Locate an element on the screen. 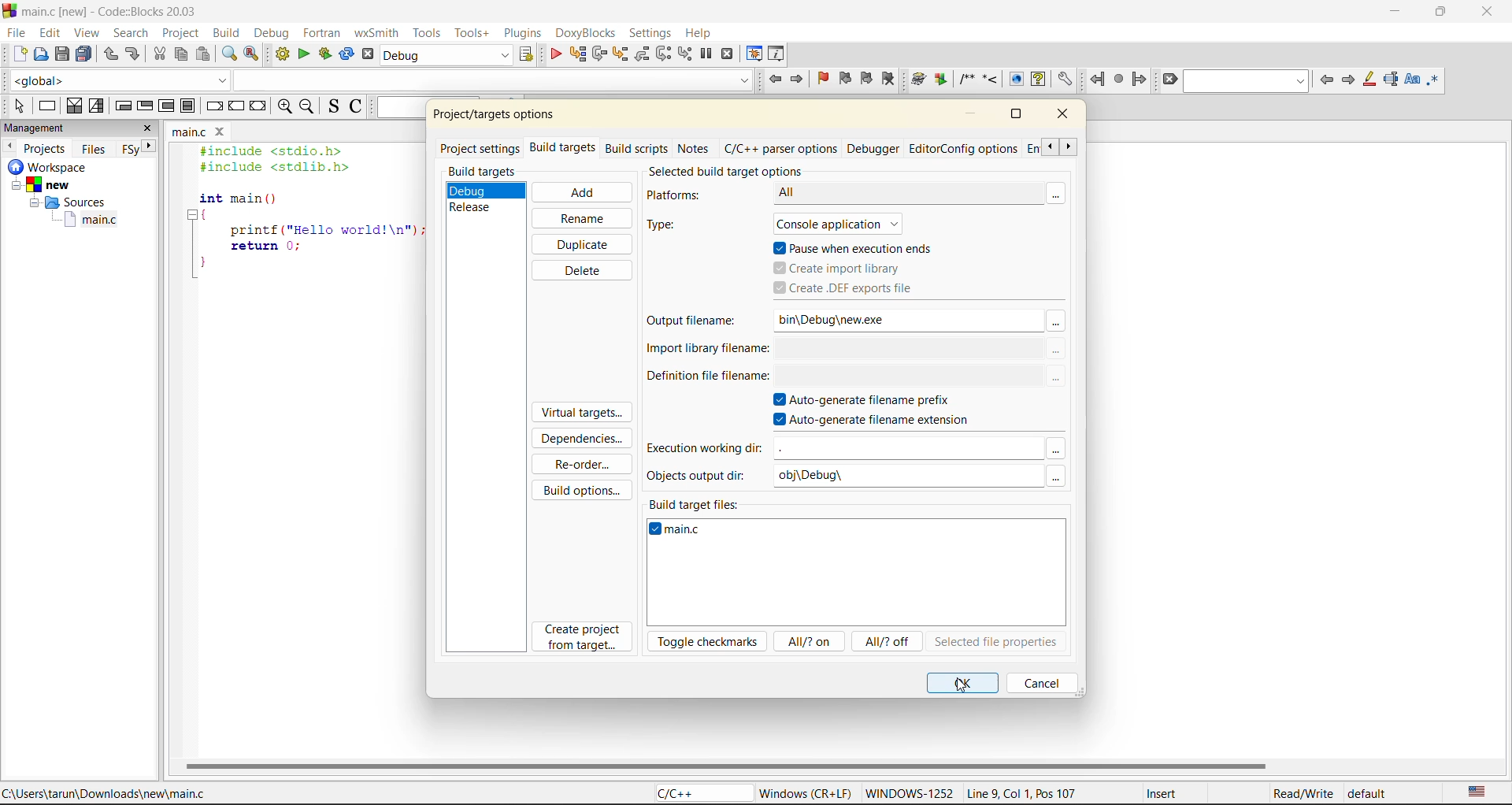 This screenshot has width=1512, height=805. output filename is located at coordinates (697, 322).